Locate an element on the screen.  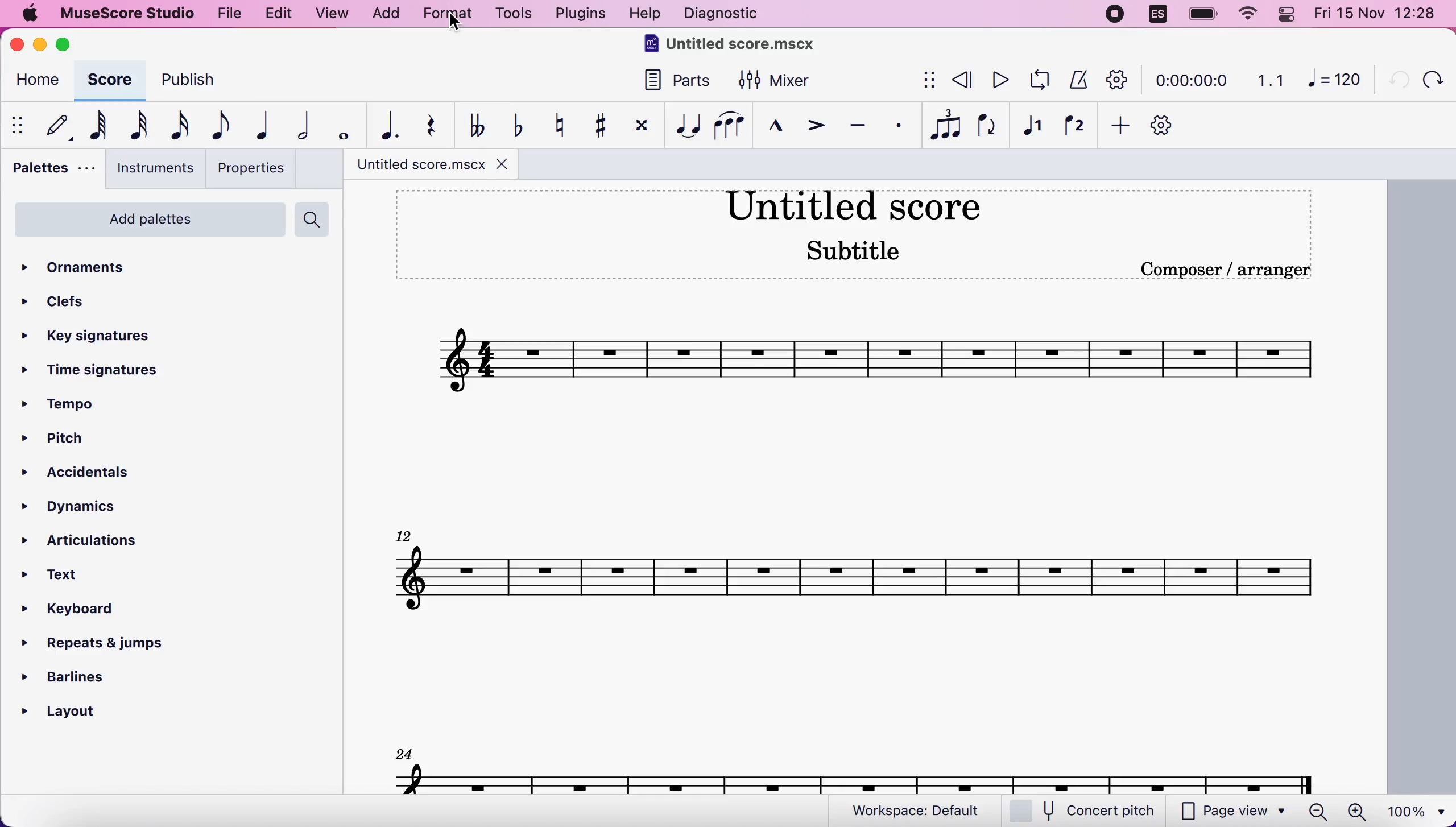
toggle double sharp is located at coordinates (640, 128).